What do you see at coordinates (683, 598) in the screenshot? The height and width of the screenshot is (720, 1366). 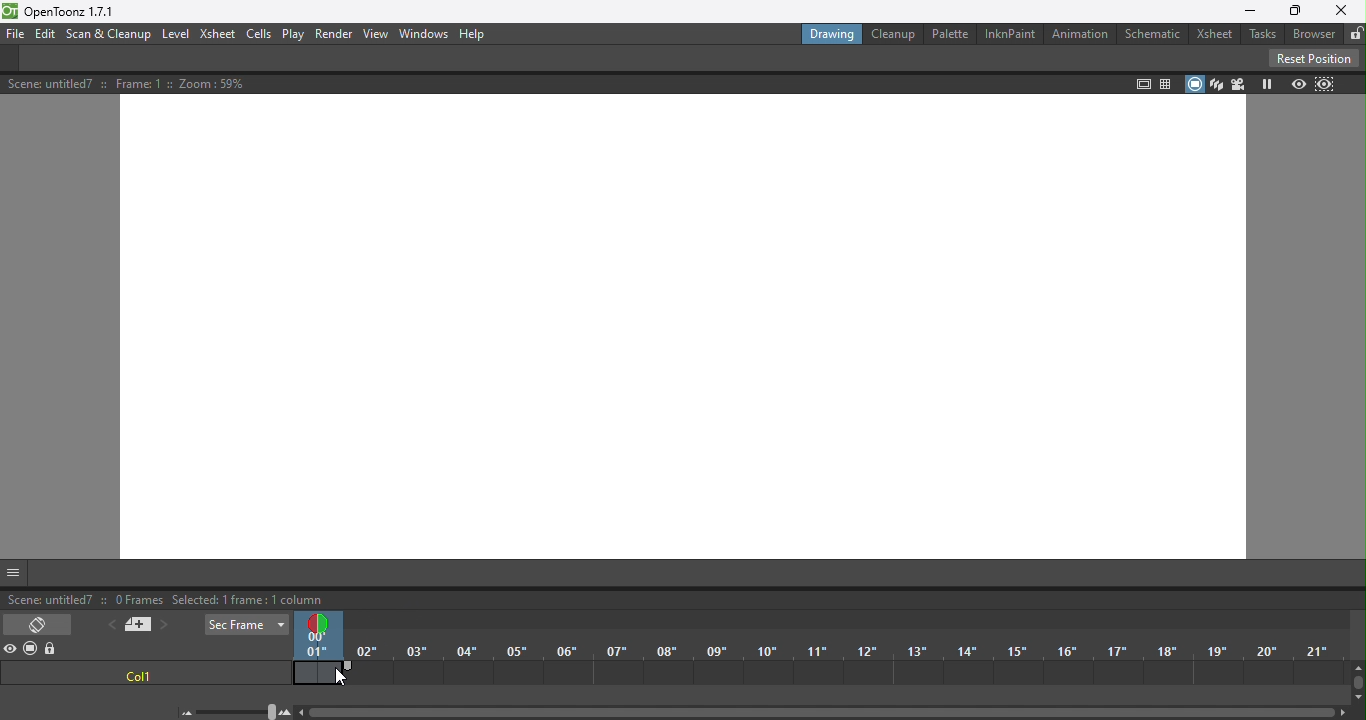 I see `status bar` at bounding box center [683, 598].